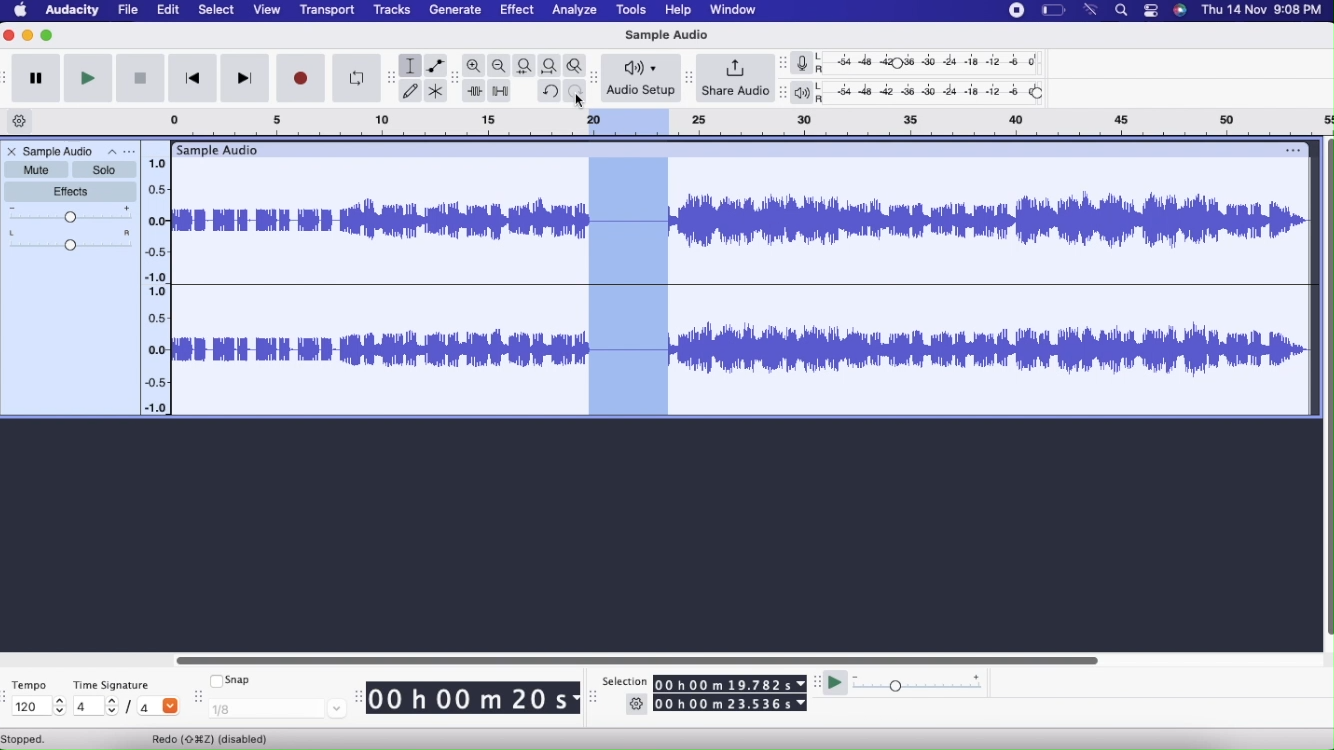 This screenshot has width=1334, height=750. Describe the element at coordinates (1018, 11) in the screenshot. I see `menu` at that location.